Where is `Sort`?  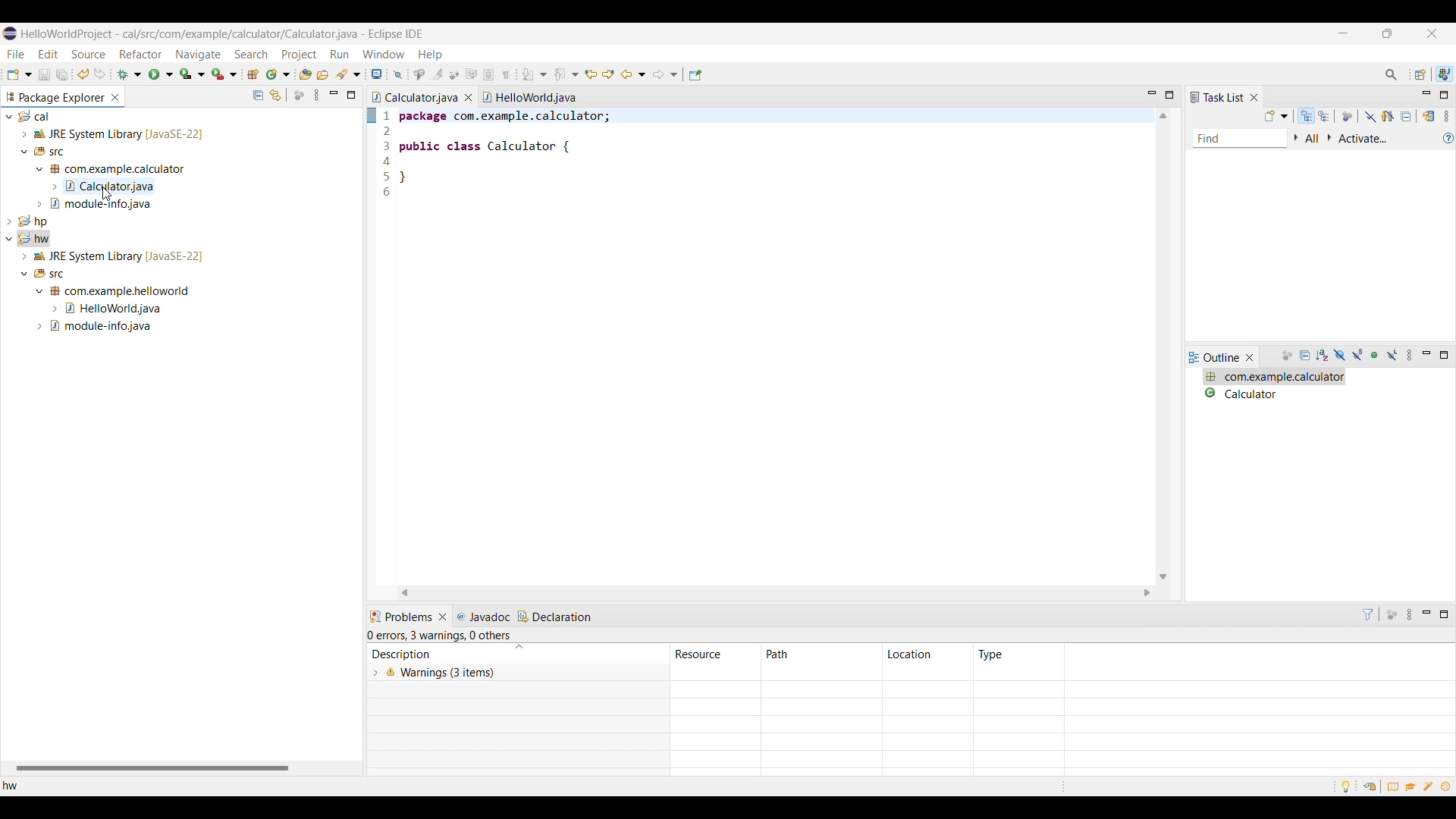
Sort is located at coordinates (1323, 356).